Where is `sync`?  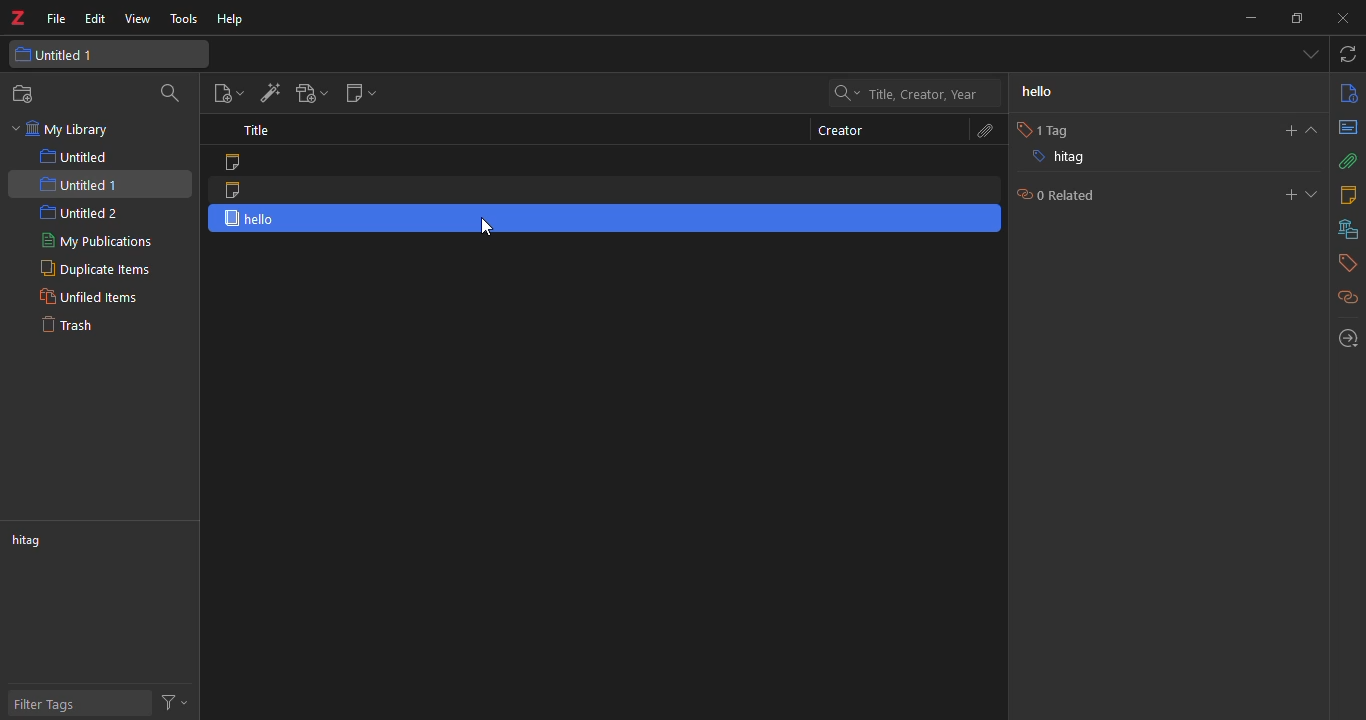 sync is located at coordinates (1348, 55).